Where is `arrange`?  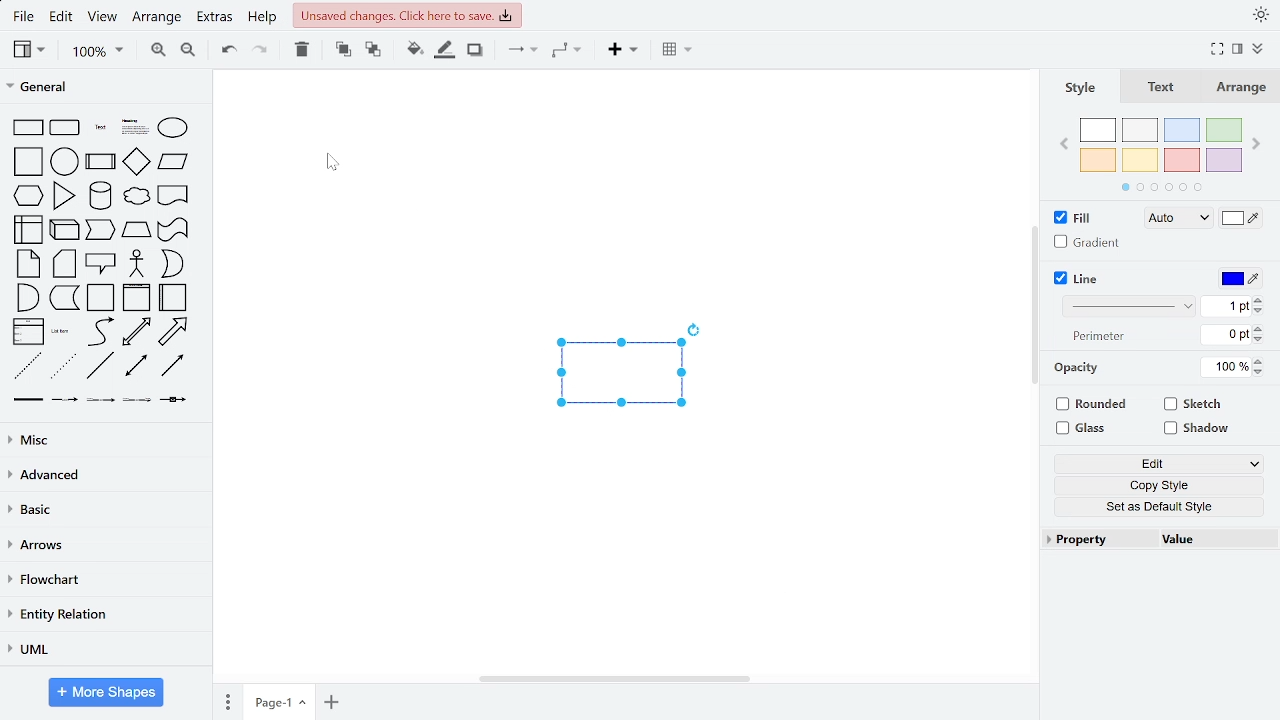 arrange is located at coordinates (156, 20).